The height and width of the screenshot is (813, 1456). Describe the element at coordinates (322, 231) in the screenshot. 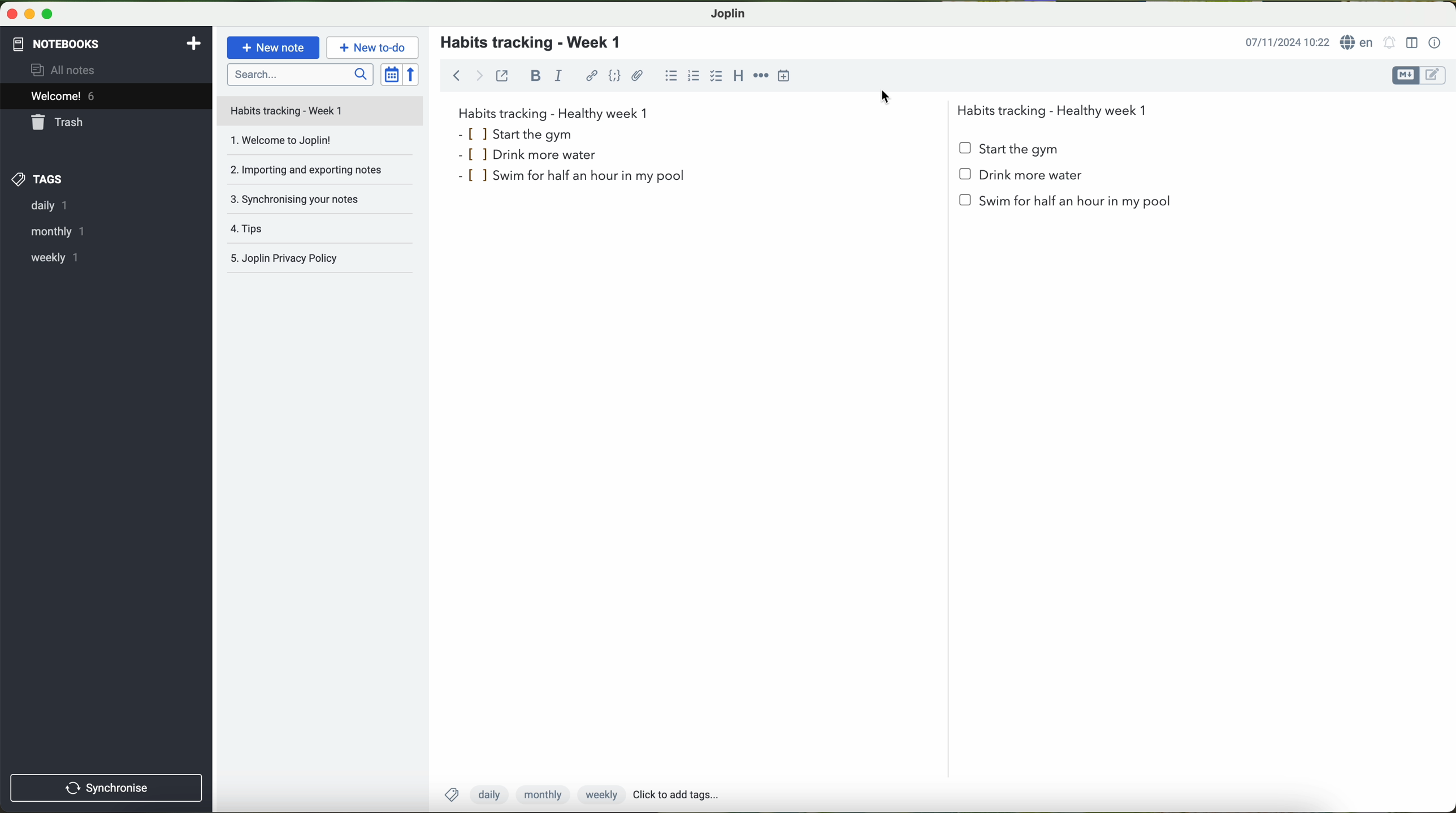

I see `tips` at that location.